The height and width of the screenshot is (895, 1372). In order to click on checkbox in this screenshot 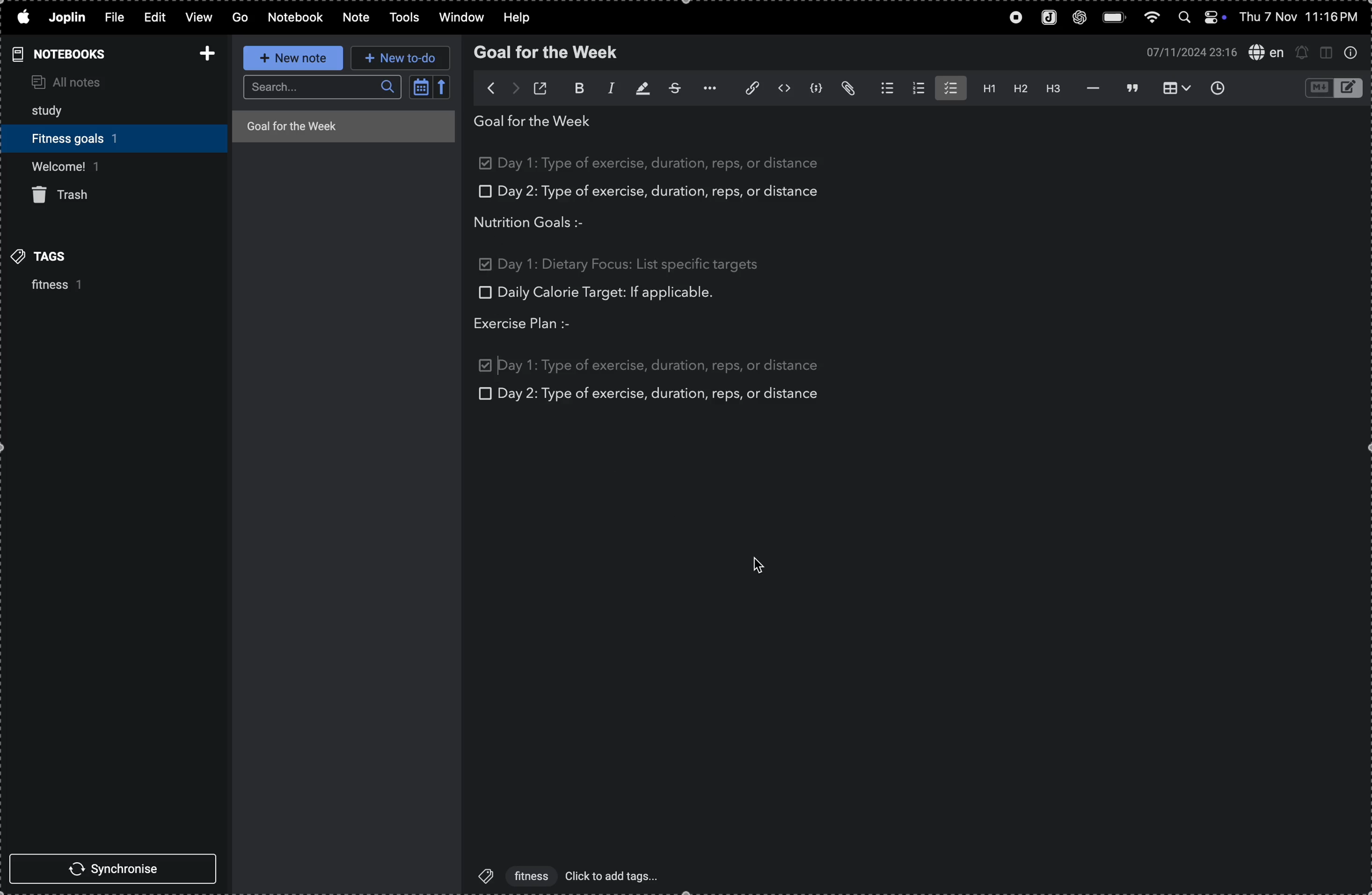, I will do `click(483, 292)`.